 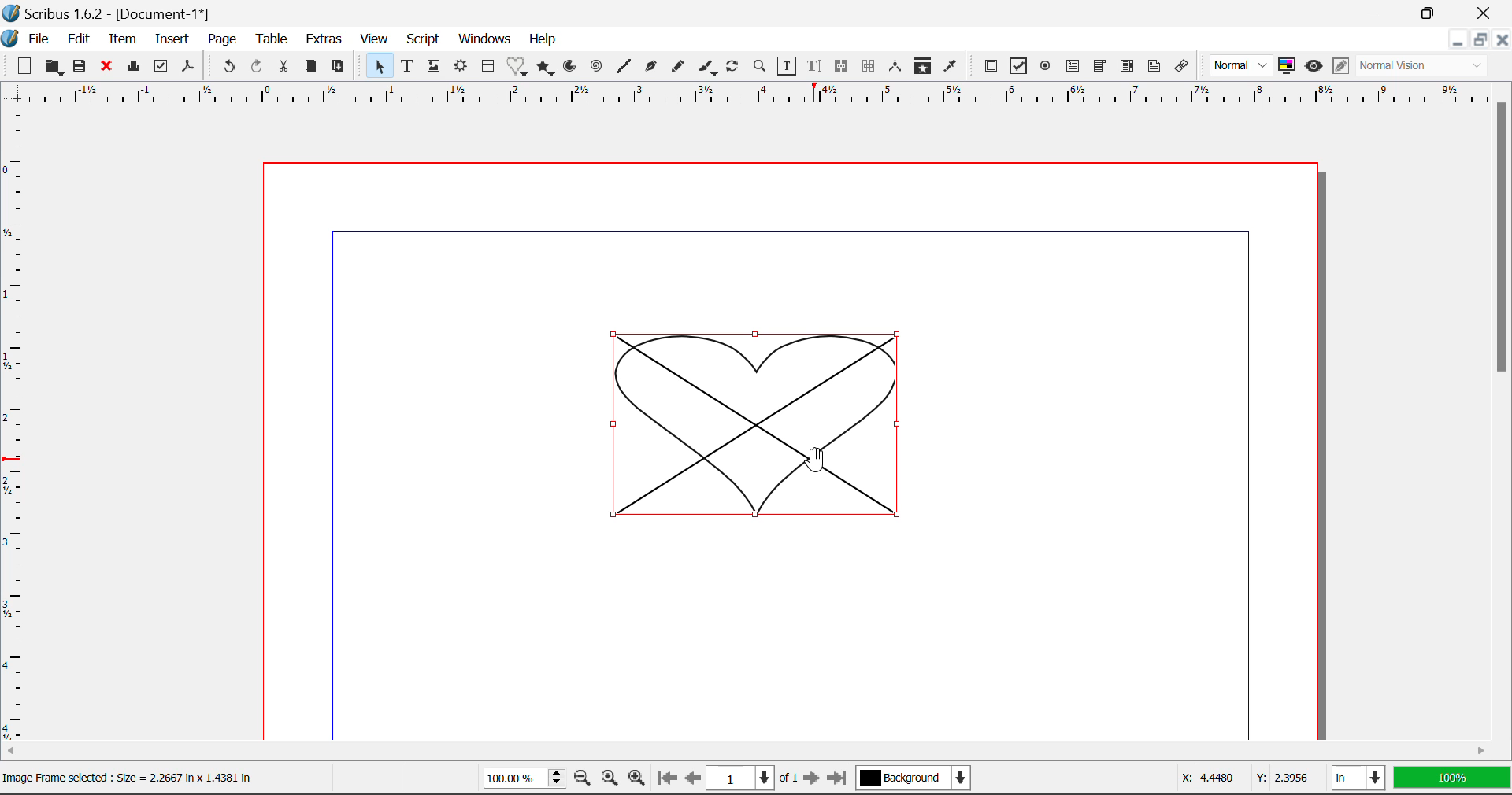 I want to click on 1 of 1, so click(x=753, y=778).